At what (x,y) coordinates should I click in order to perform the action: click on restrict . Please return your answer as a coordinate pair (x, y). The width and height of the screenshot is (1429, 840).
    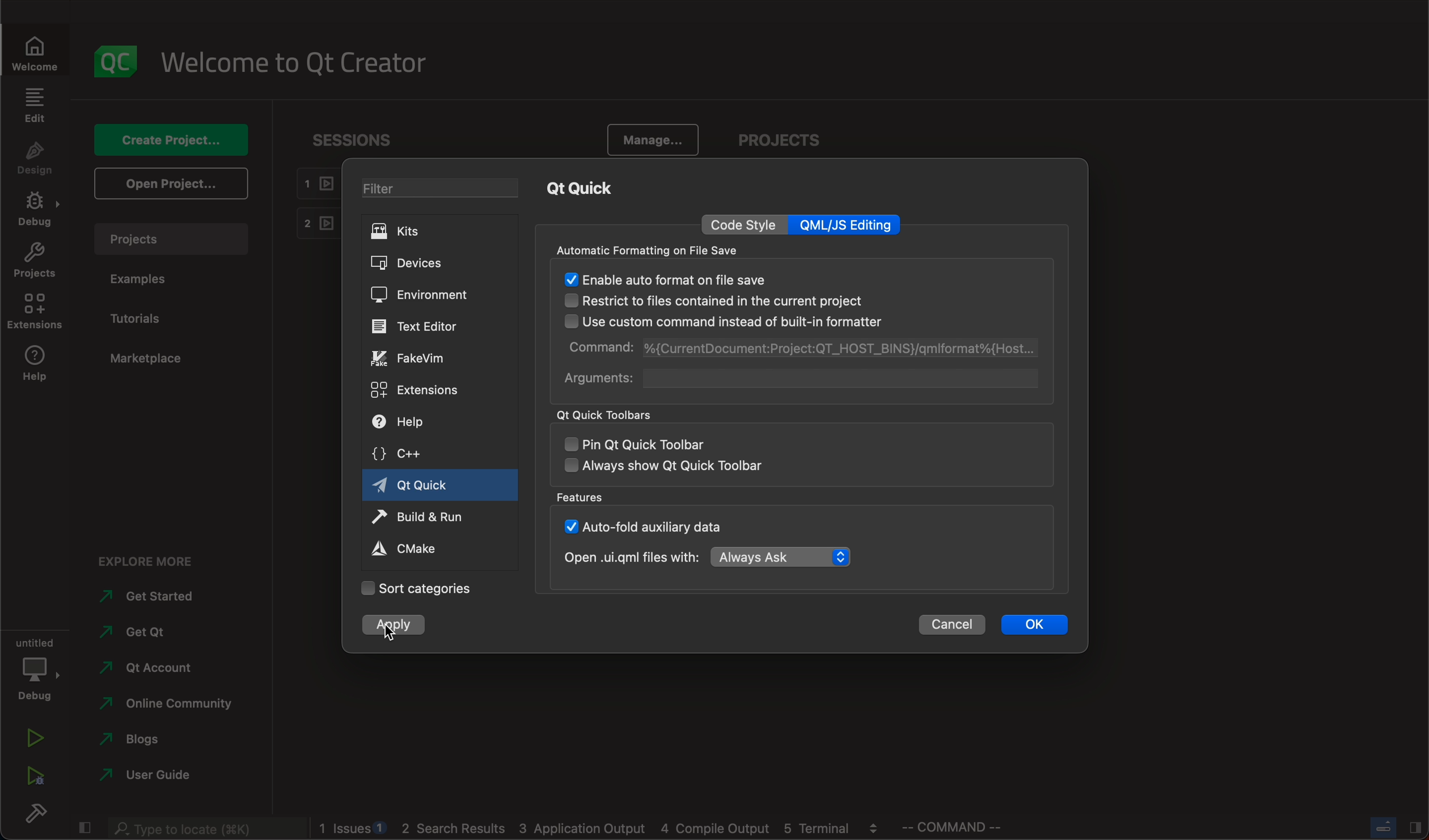
    Looking at the image, I should click on (712, 302).